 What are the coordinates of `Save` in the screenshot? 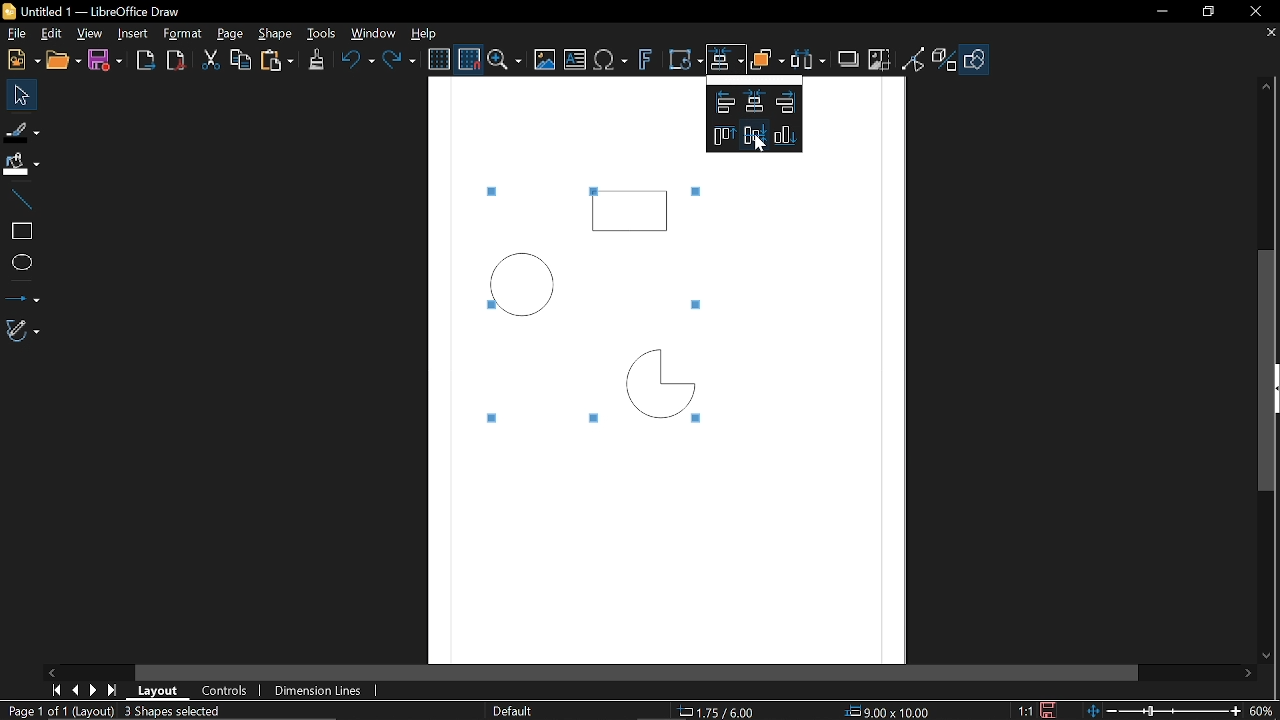 It's located at (106, 60).